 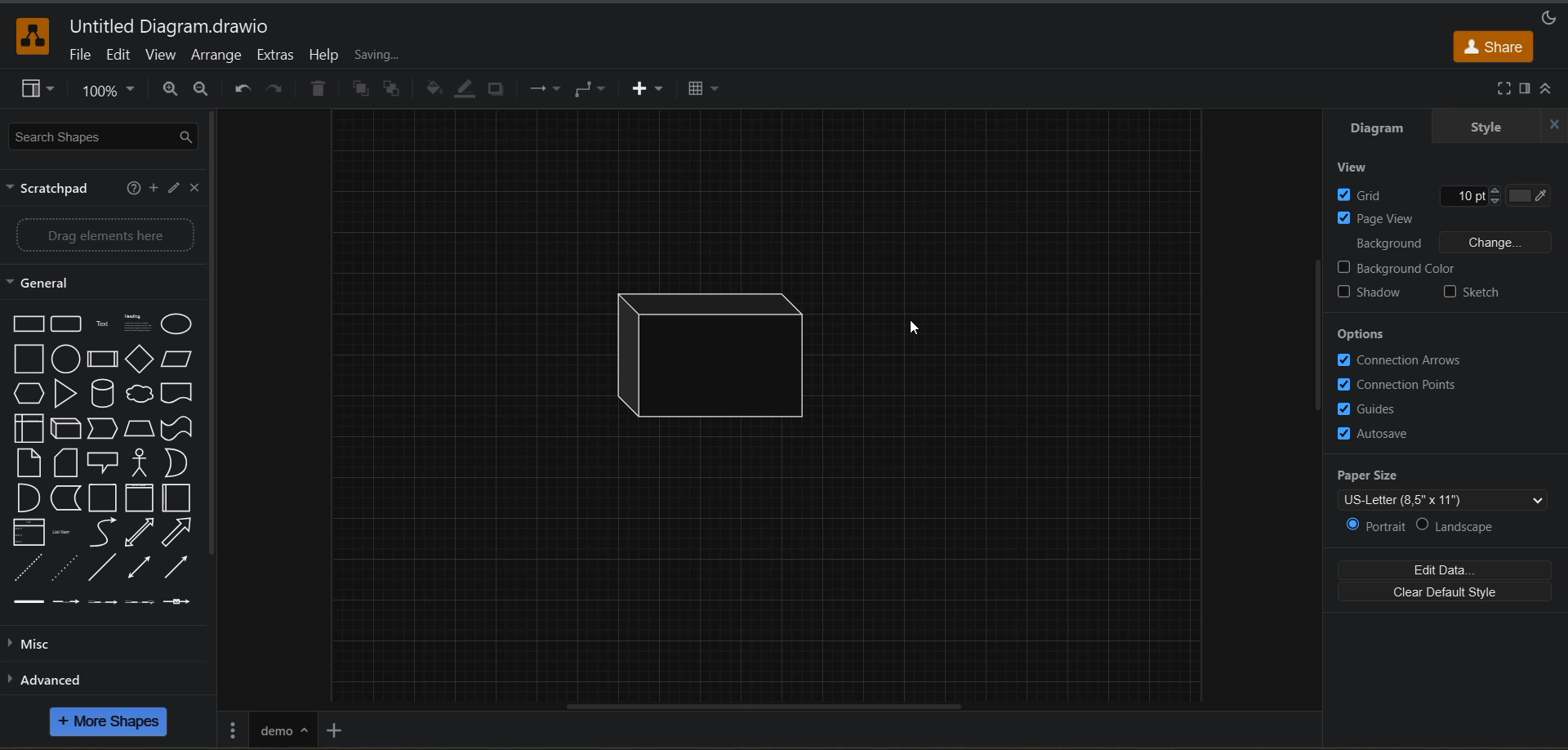 What do you see at coordinates (1363, 334) in the screenshot?
I see `options` at bounding box center [1363, 334].